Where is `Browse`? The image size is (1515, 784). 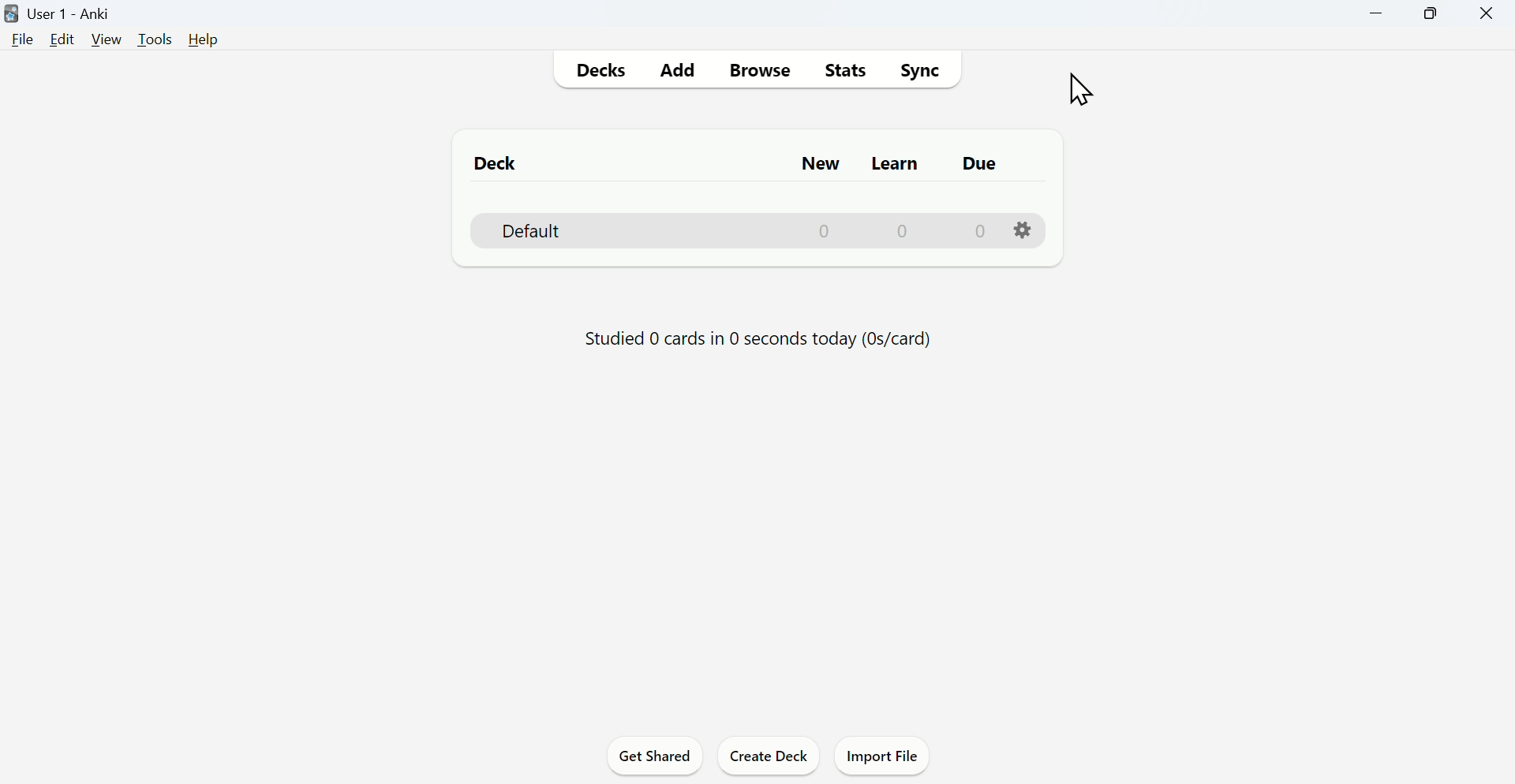 Browse is located at coordinates (758, 69).